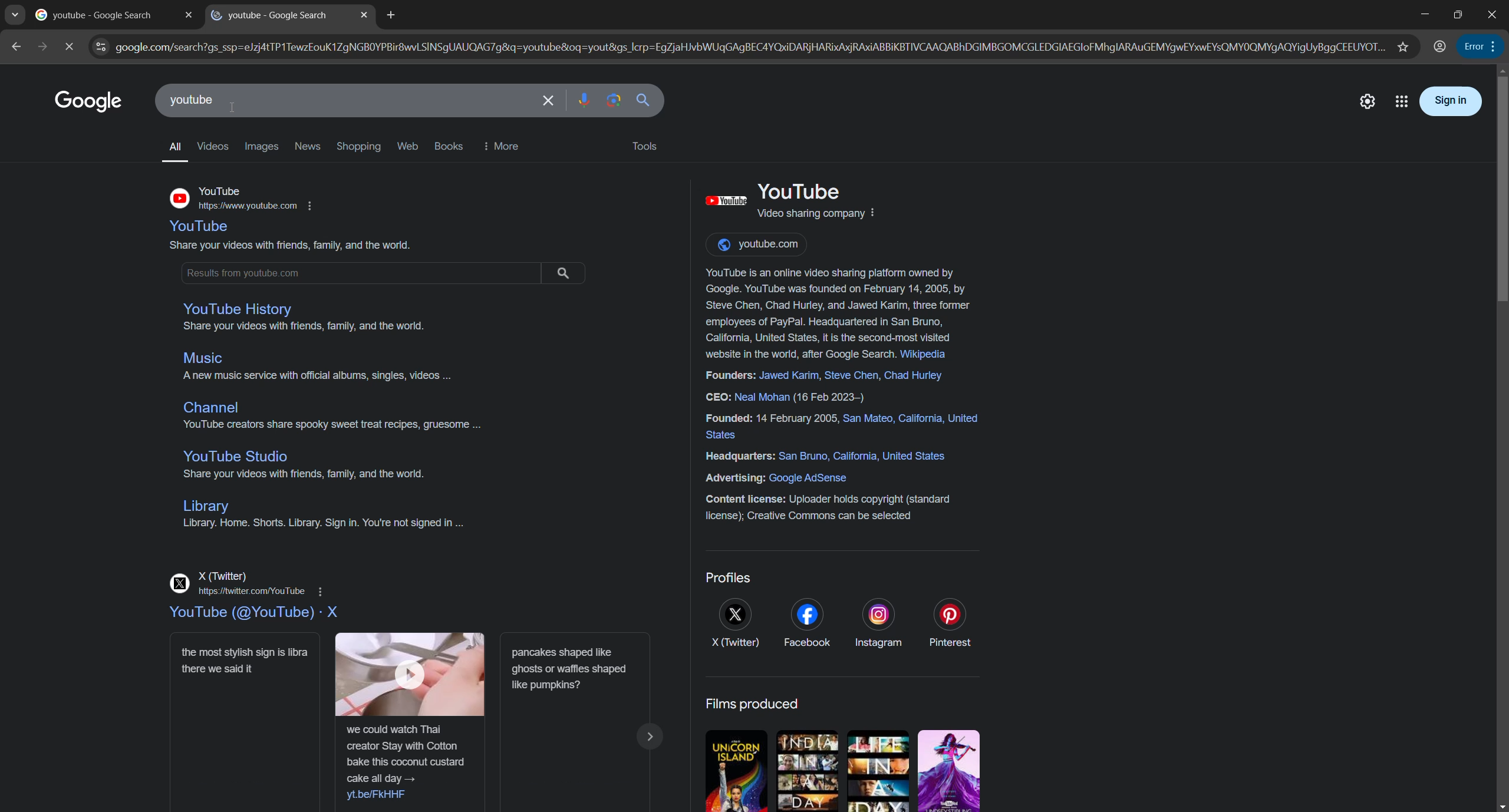 The image size is (1509, 812). I want to click on Youtube creators share spooky seet treat recipes ,gruesome, so click(342, 426).